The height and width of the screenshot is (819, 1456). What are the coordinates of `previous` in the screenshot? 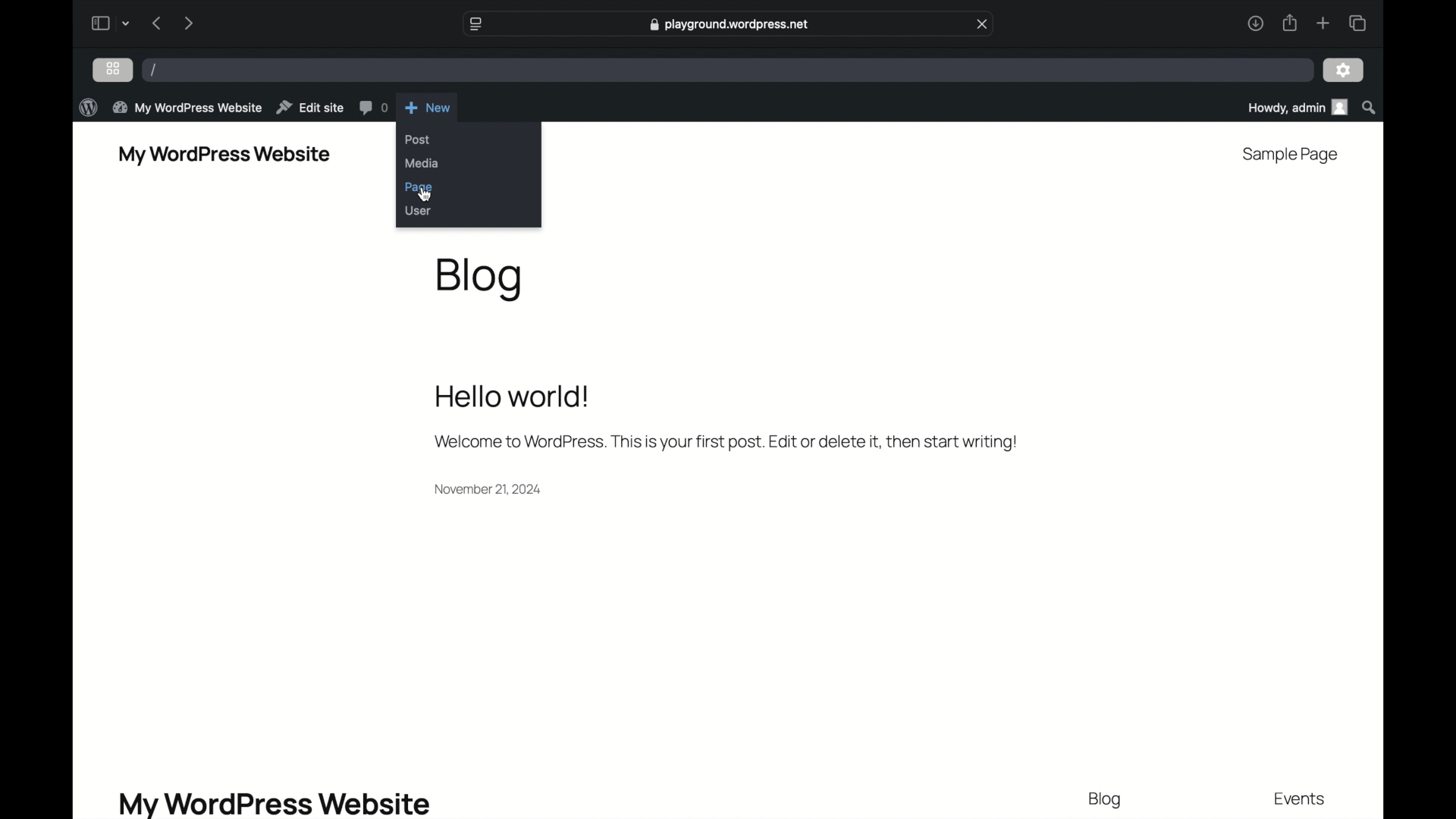 It's located at (155, 23).